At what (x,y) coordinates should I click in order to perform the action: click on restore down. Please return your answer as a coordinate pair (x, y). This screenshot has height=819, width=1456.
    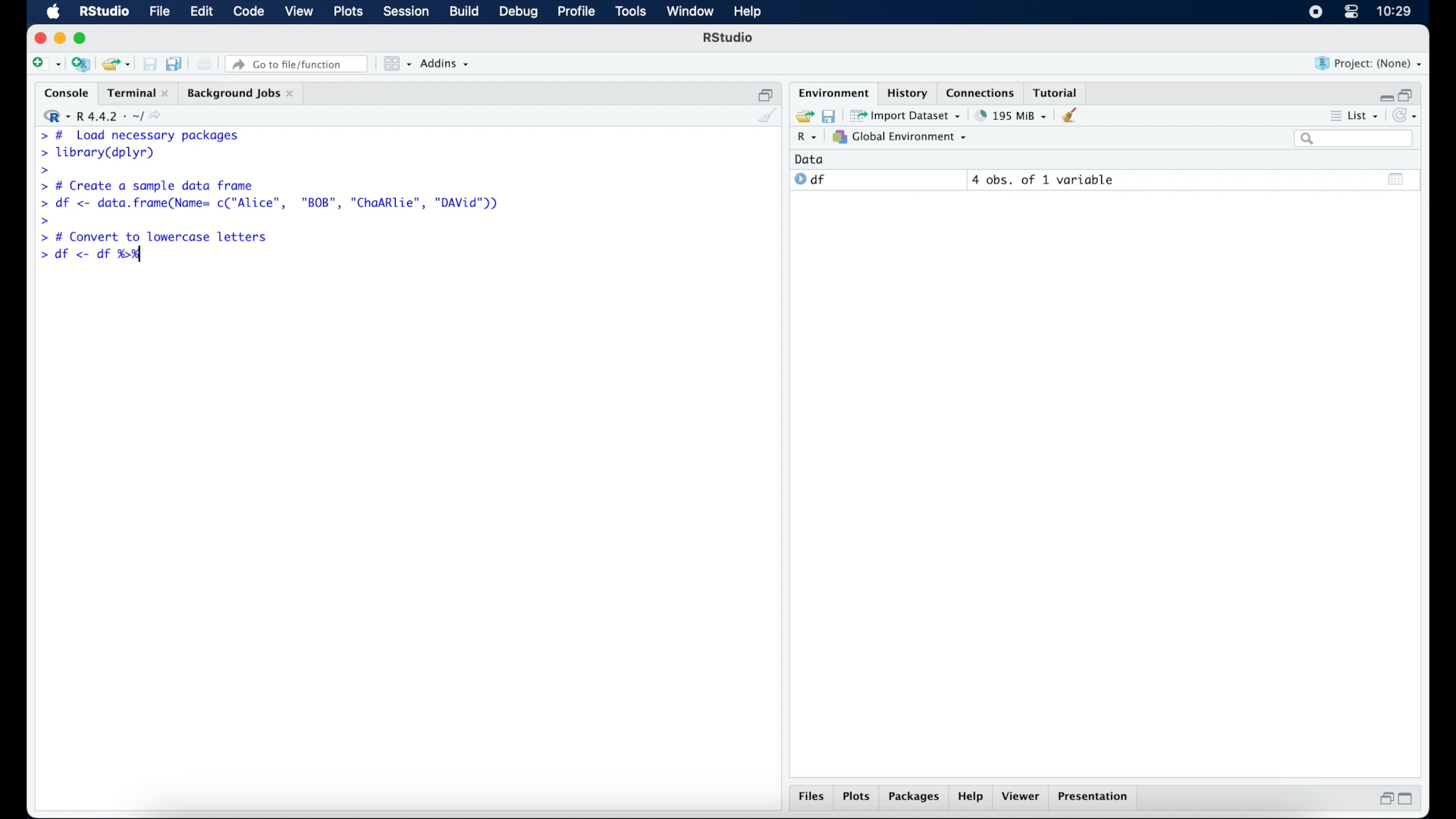
    Looking at the image, I should click on (1409, 93).